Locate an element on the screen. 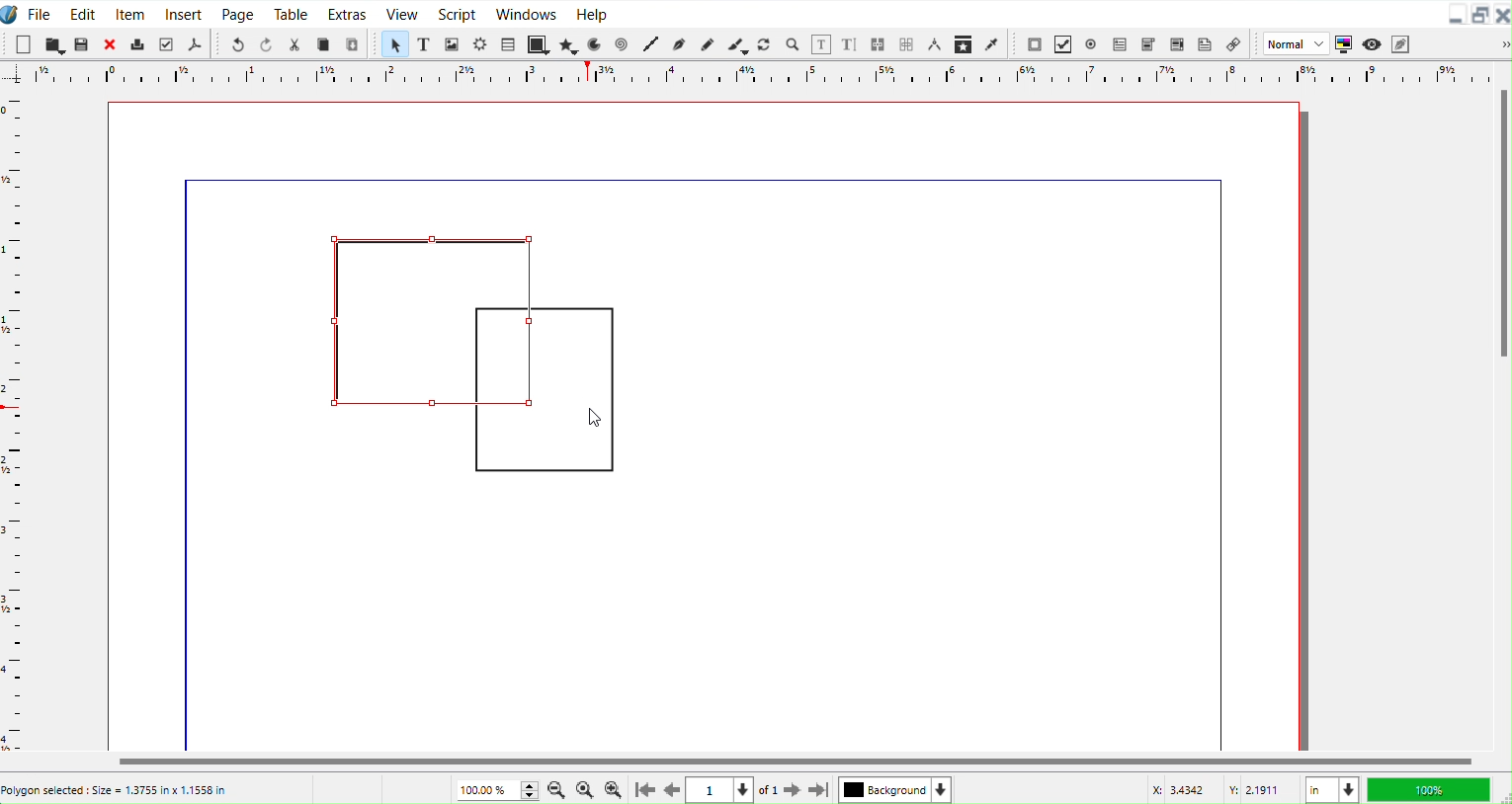 This screenshot has height=804, width=1512. Image Frame is located at coordinates (453, 43).